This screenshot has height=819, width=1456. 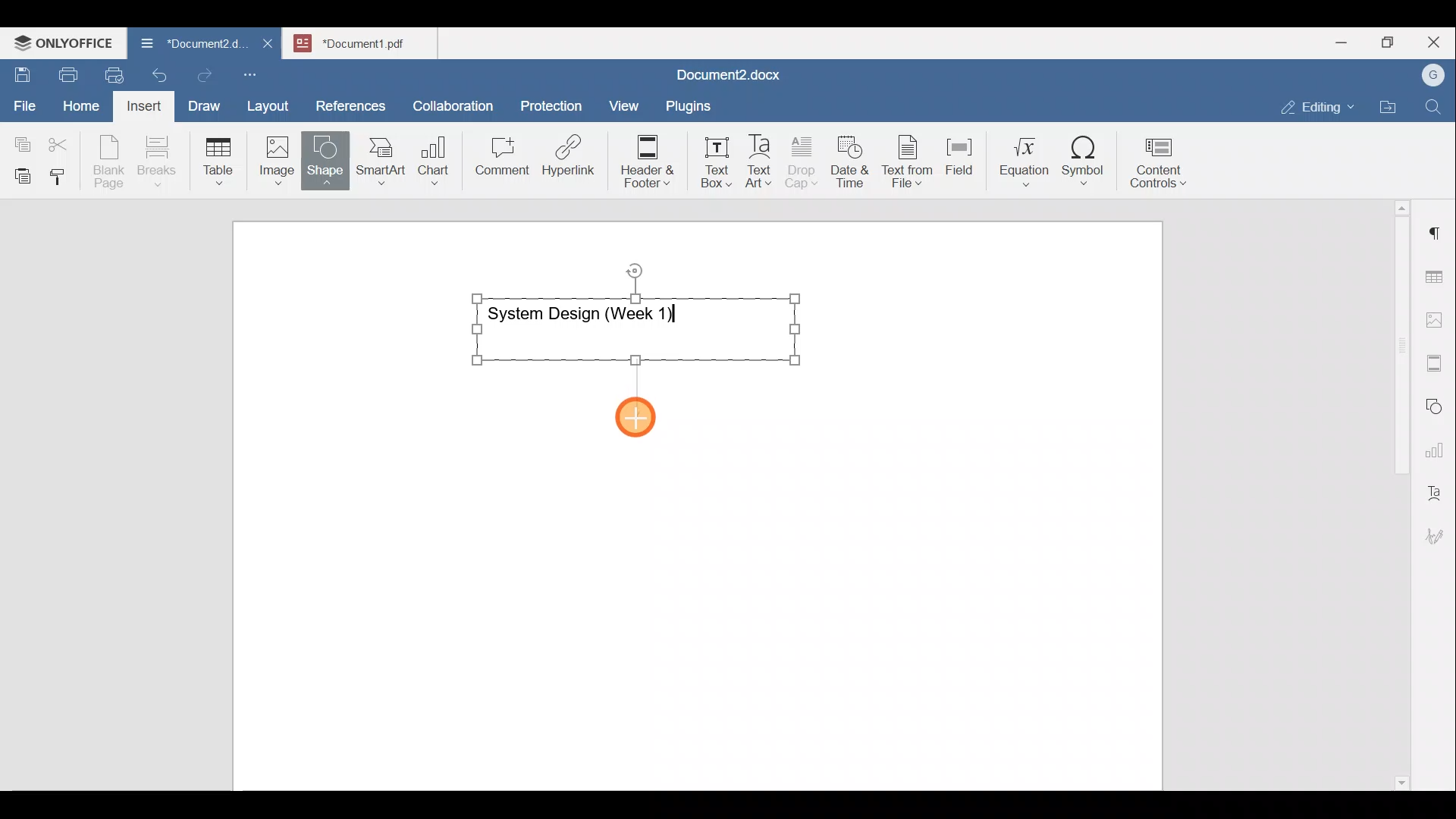 What do you see at coordinates (156, 162) in the screenshot?
I see `Breaks` at bounding box center [156, 162].